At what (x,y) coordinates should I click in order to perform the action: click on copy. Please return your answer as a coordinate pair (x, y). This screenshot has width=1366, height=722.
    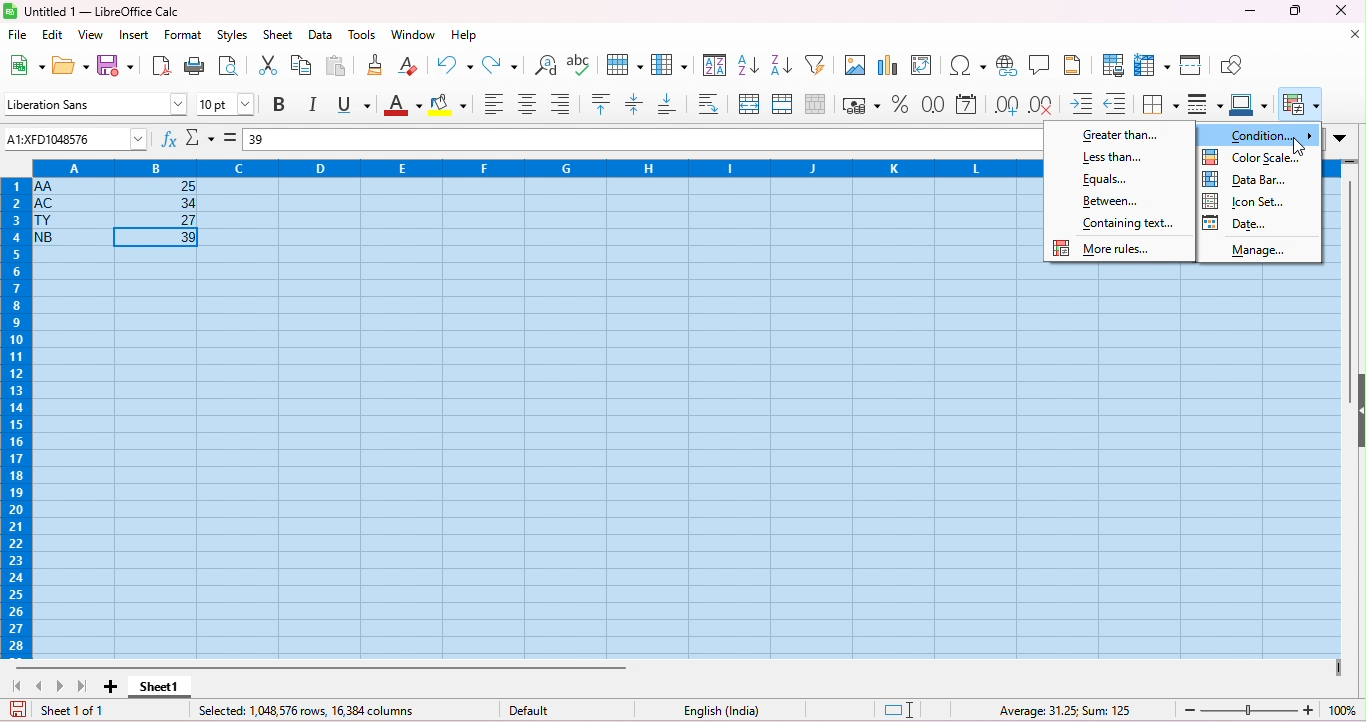
    Looking at the image, I should click on (301, 65).